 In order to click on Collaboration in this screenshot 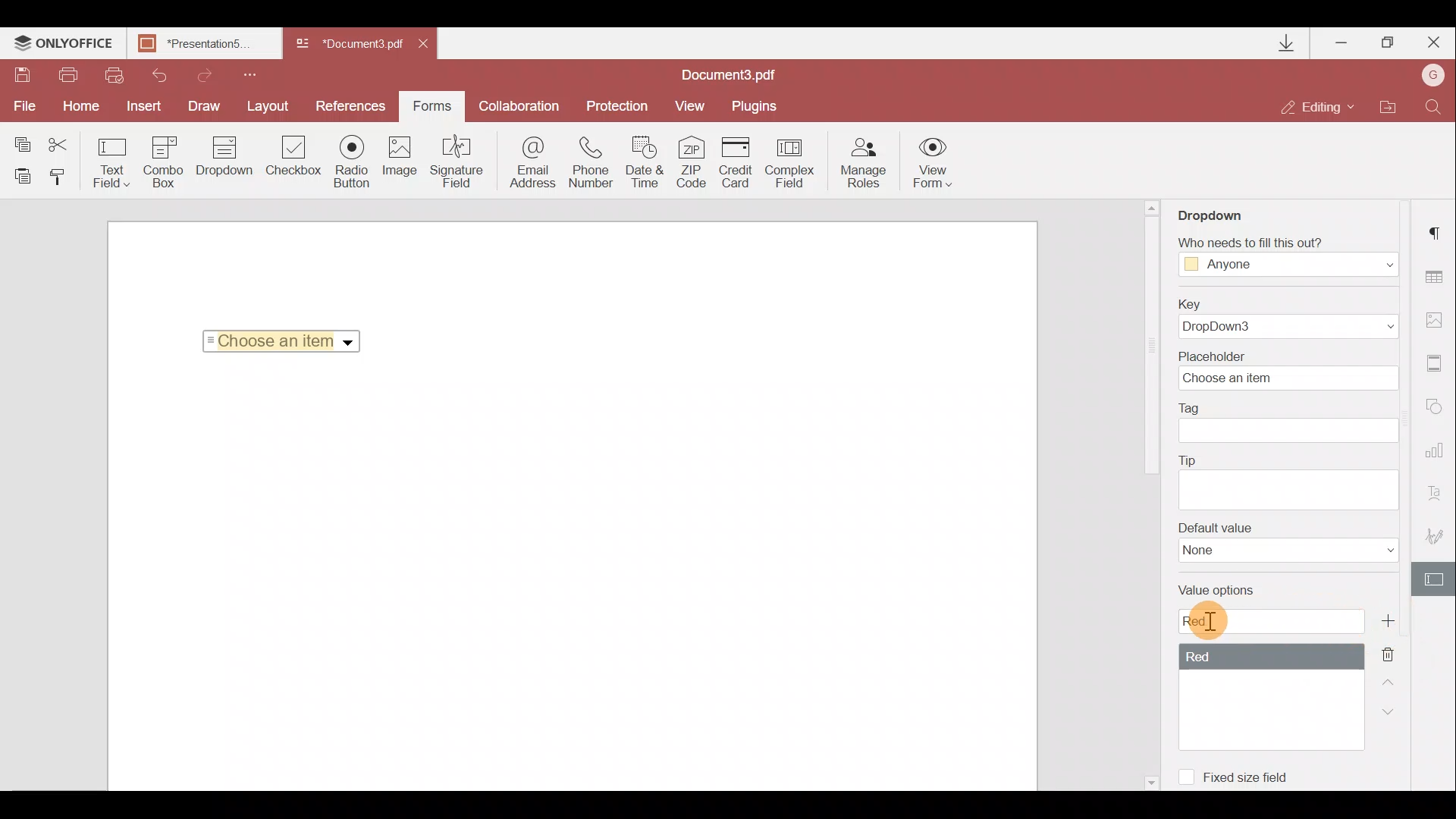, I will do `click(519, 104)`.